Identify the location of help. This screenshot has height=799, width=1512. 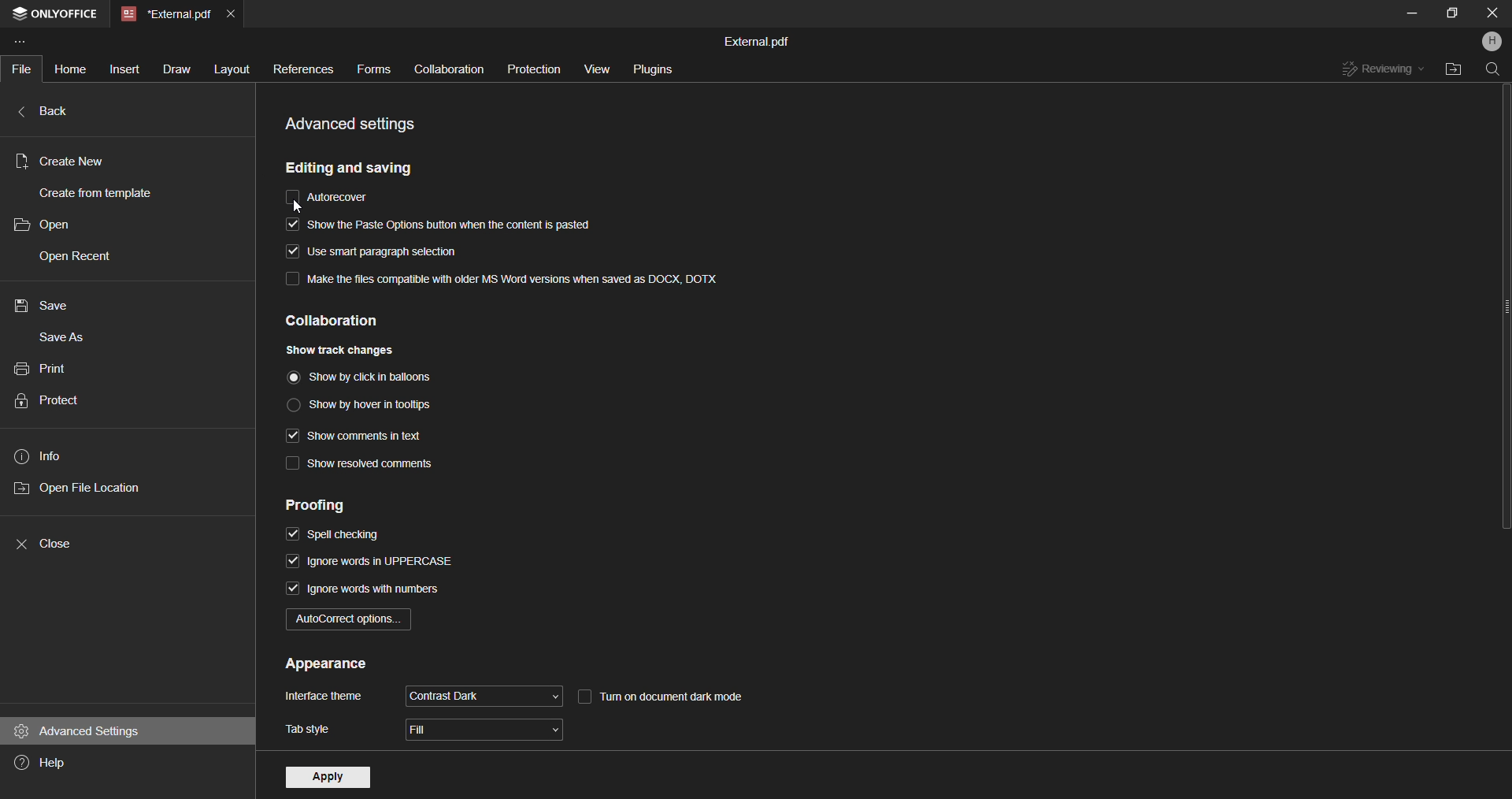
(54, 761).